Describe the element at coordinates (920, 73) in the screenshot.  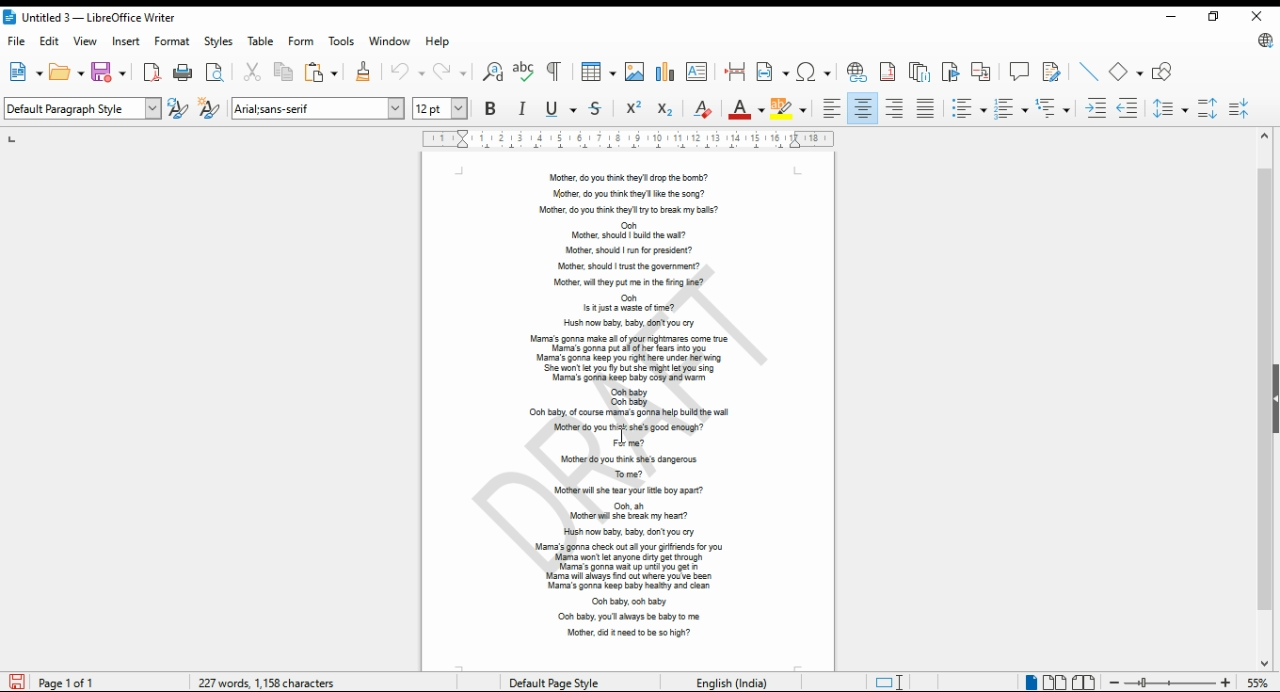
I see `insert endnote` at that location.